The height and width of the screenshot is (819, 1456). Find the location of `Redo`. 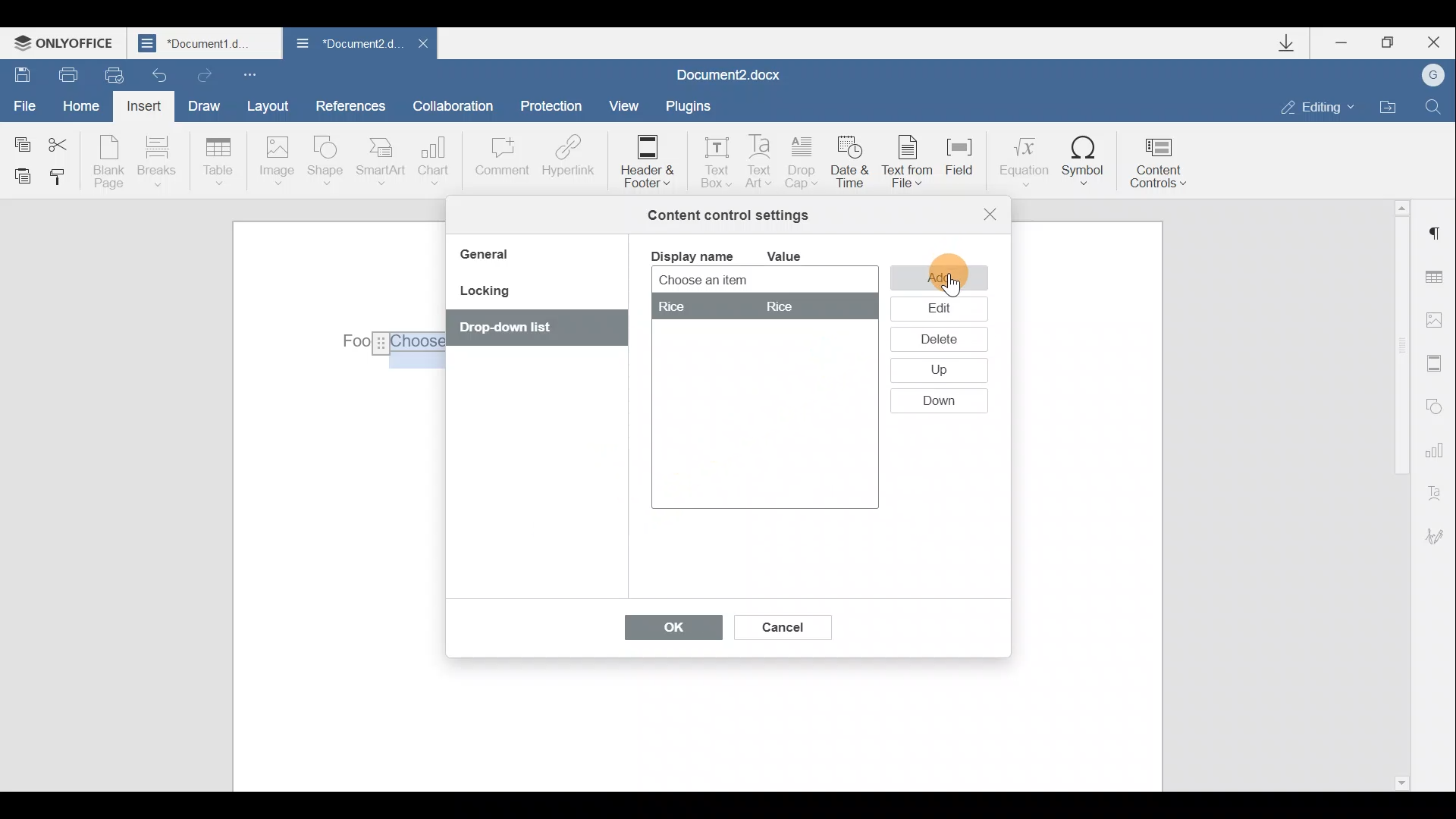

Redo is located at coordinates (202, 72).